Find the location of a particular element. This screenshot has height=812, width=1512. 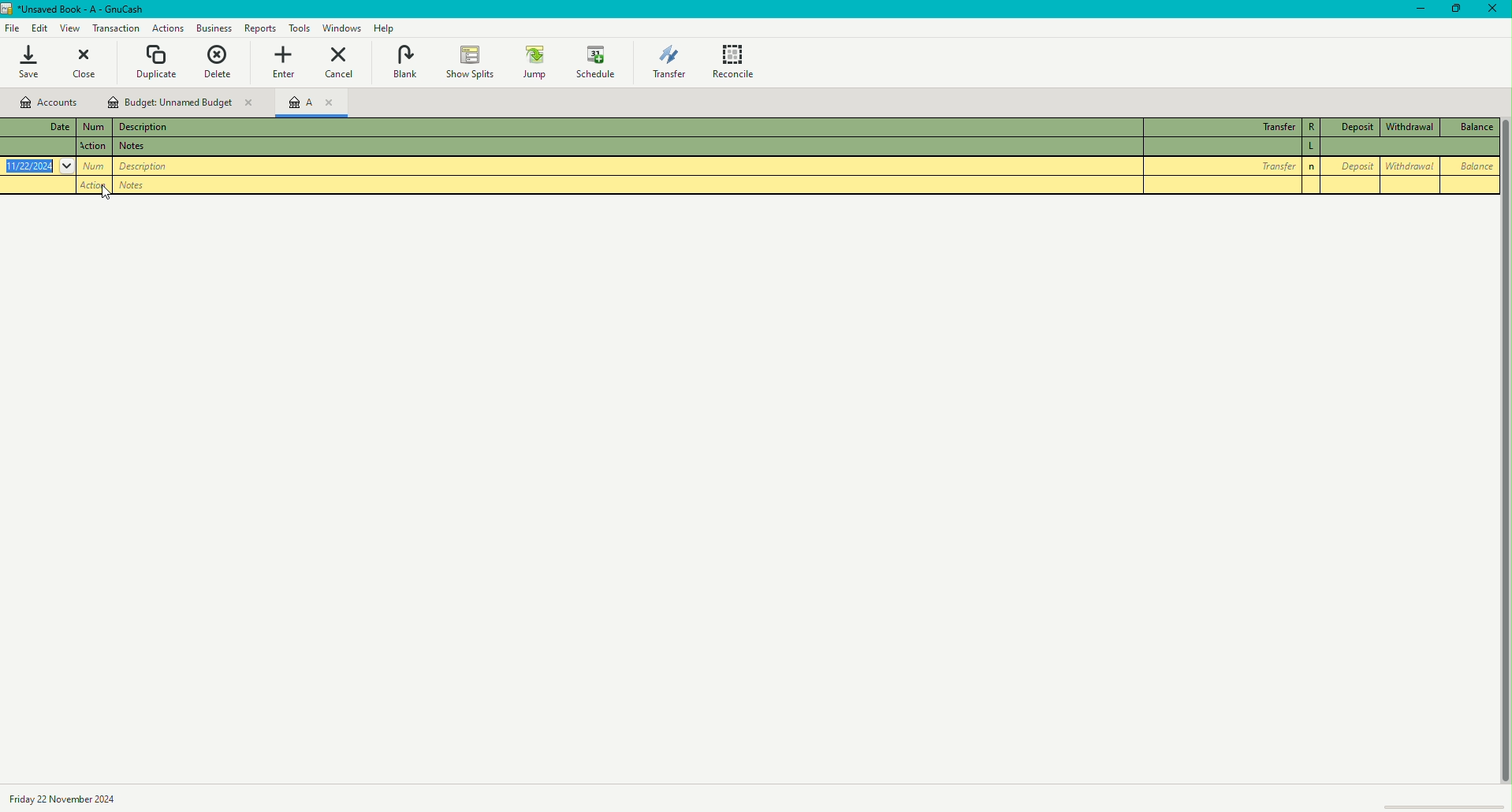

Balance is located at coordinates (1471, 129).